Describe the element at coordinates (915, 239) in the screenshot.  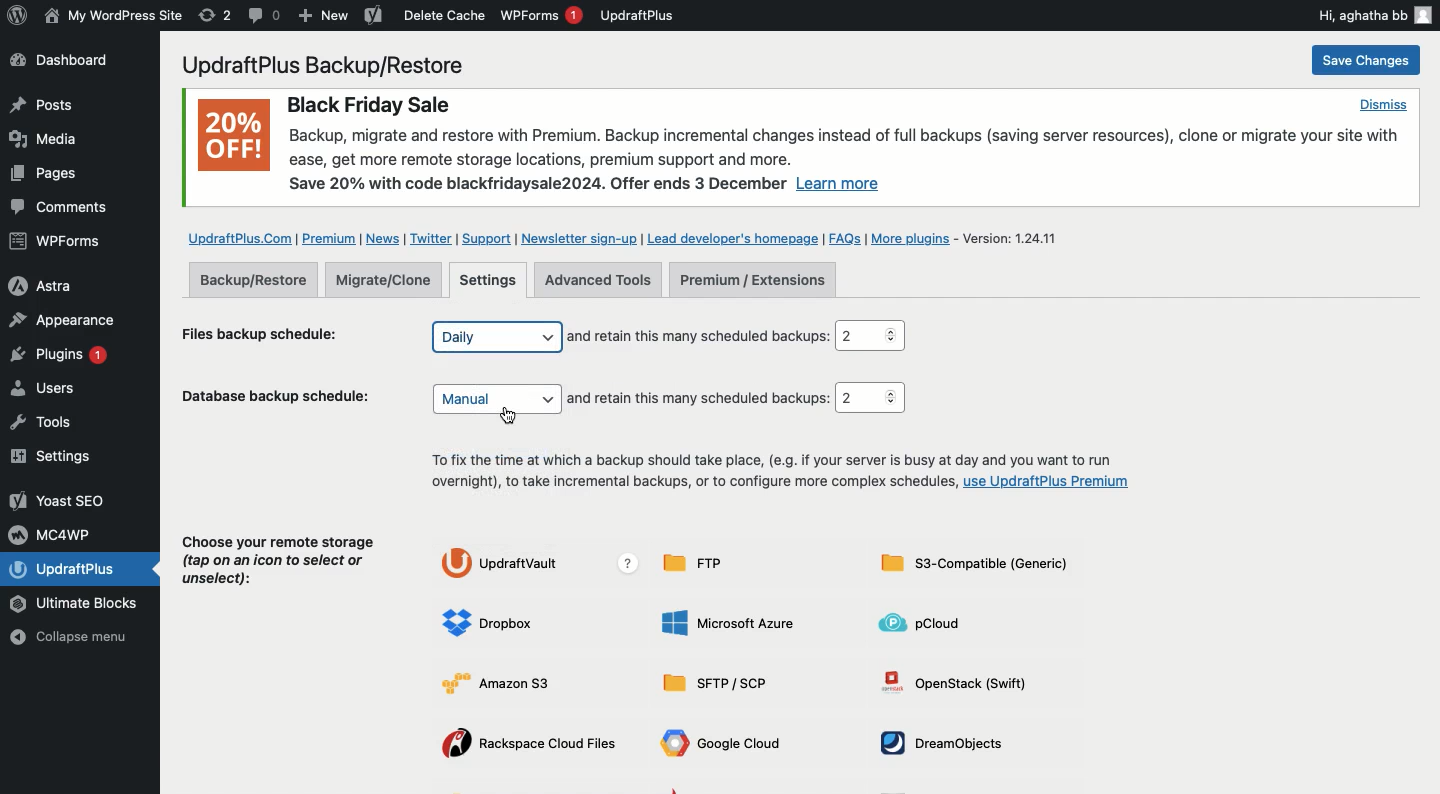
I see `More plugins` at that location.